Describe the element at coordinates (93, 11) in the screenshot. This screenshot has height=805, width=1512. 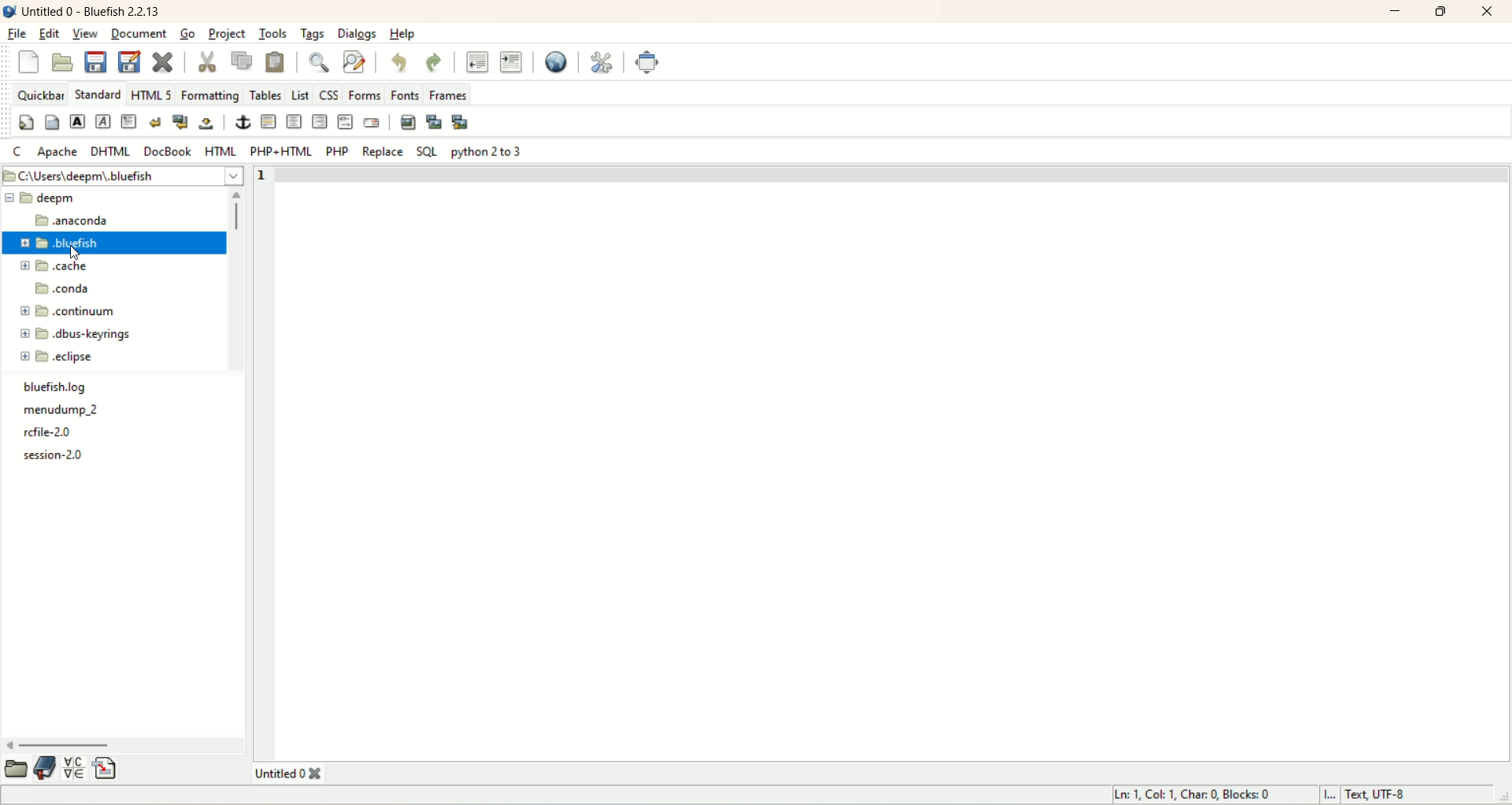
I see `title` at that location.